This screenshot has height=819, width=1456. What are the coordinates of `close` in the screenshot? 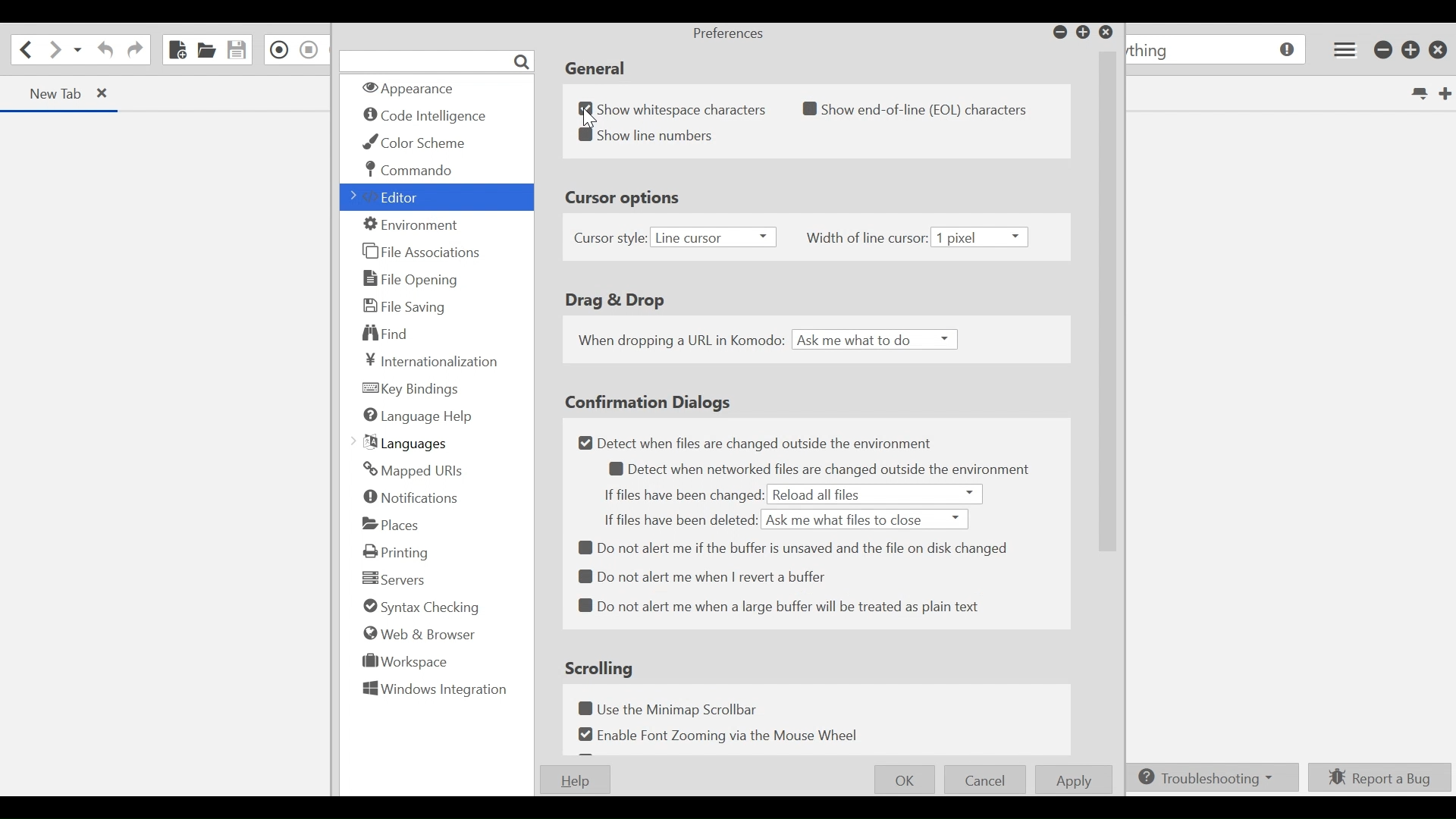 It's located at (105, 93).